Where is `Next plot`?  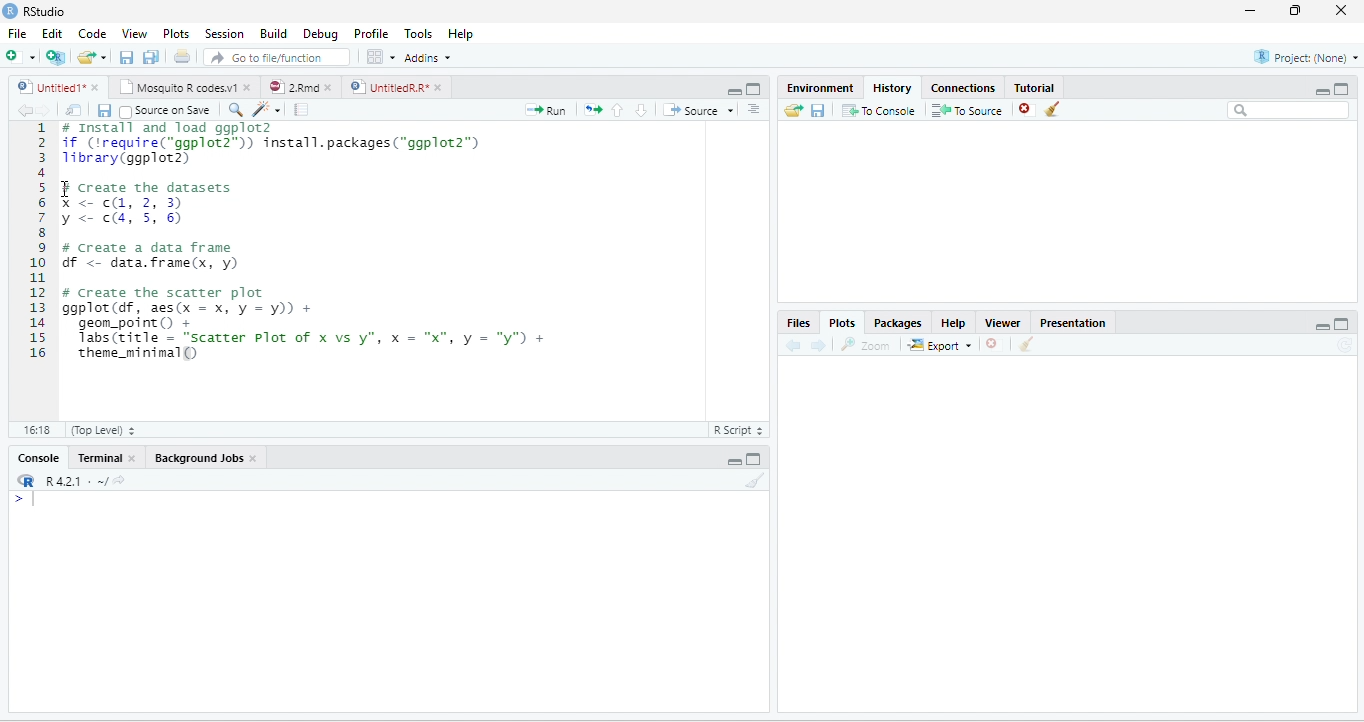
Next plot is located at coordinates (818, 345).